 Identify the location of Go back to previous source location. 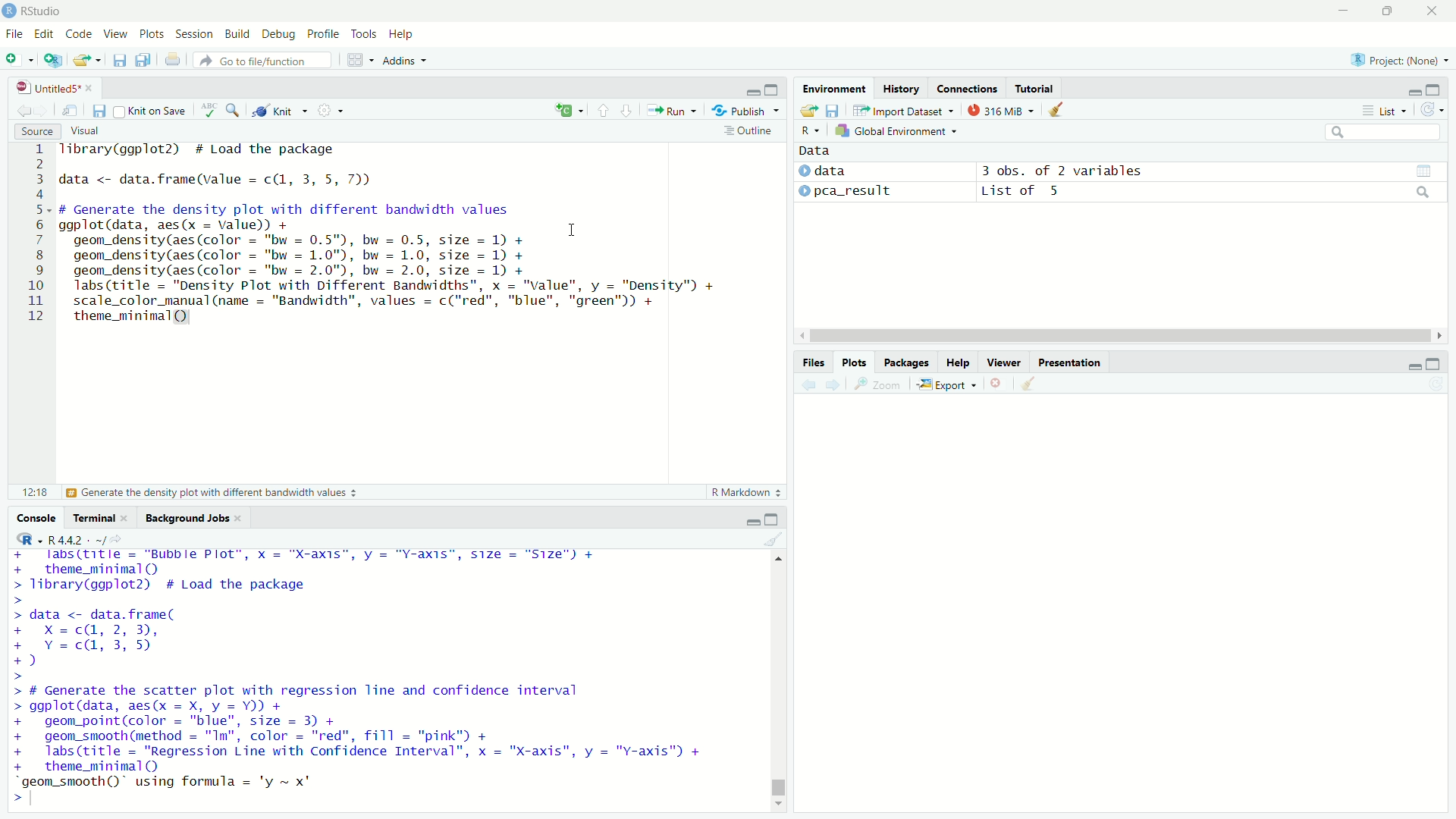
(21, 109).